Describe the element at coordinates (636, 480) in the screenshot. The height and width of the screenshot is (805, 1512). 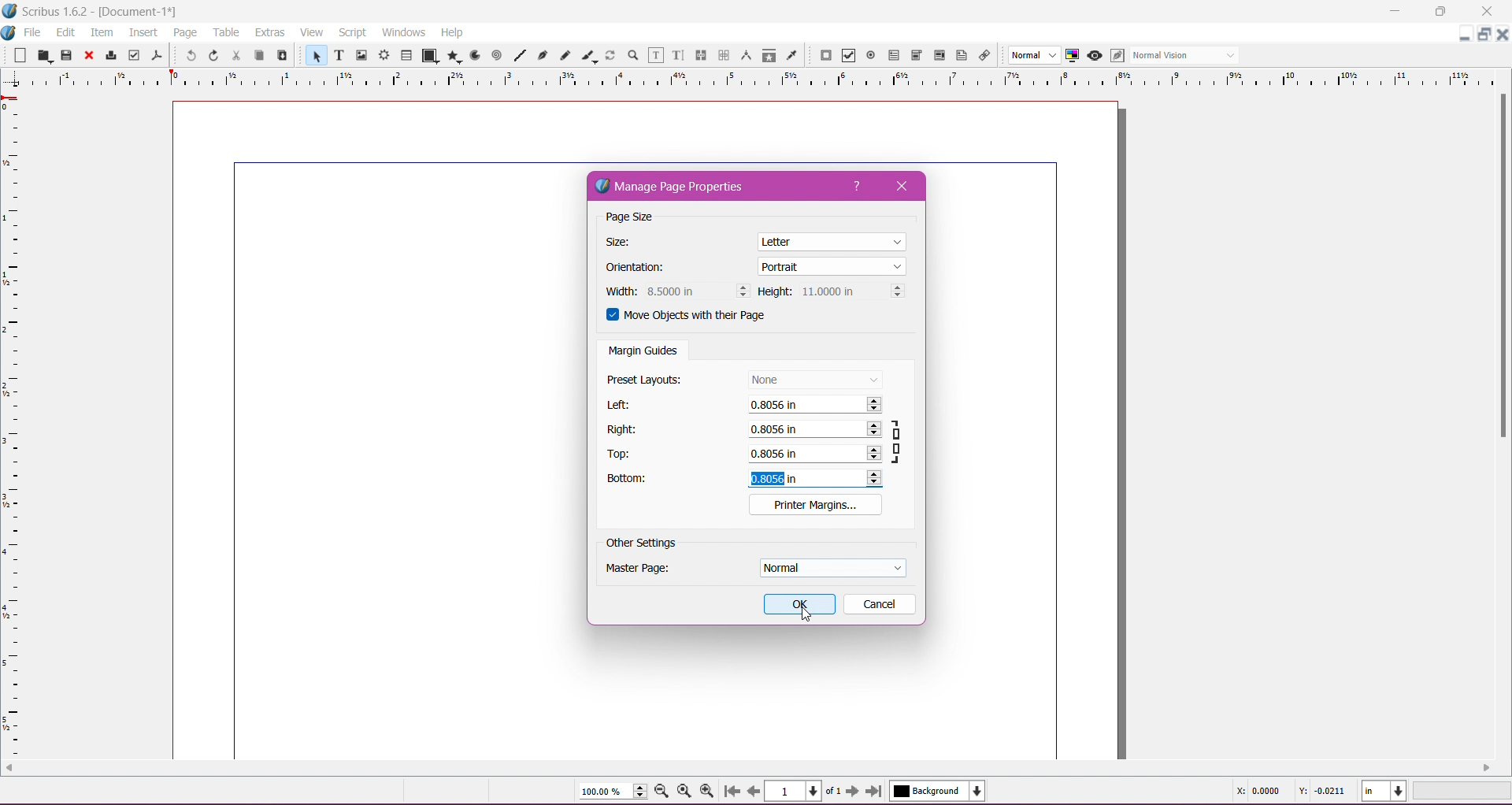
I see `Bottom` at that location.